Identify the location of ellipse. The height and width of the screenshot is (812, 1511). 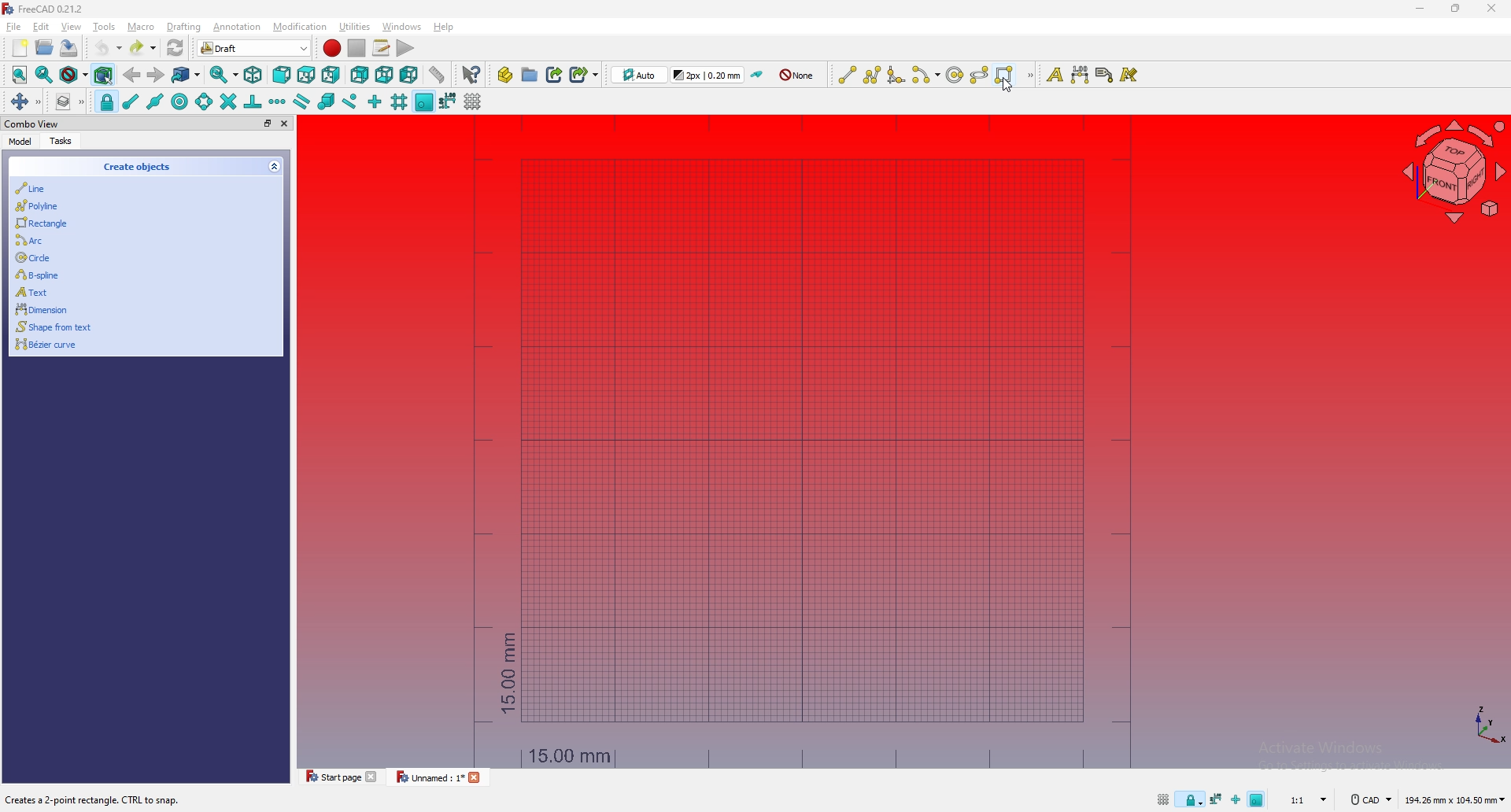
(980, 74).